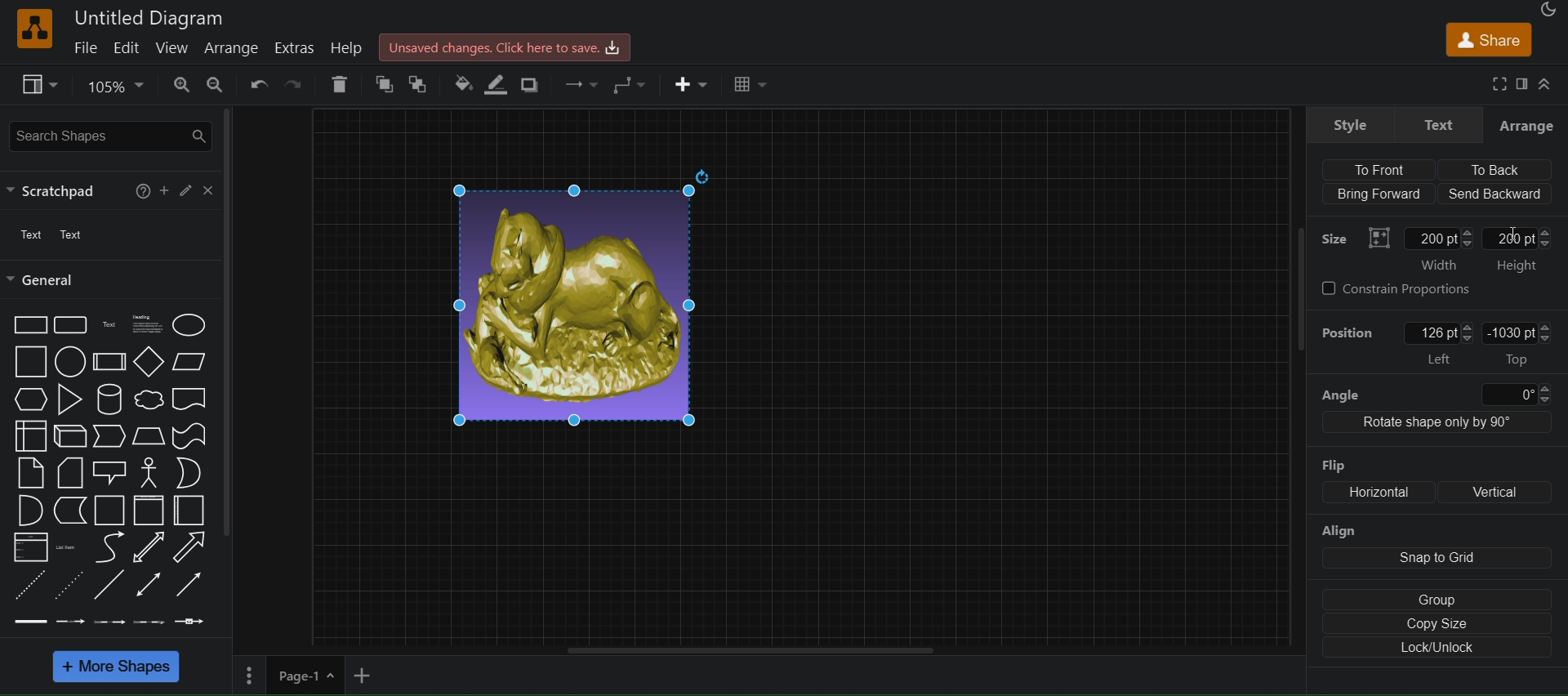  I want to click on 200pt: Height(entered), so click(1522, 248).